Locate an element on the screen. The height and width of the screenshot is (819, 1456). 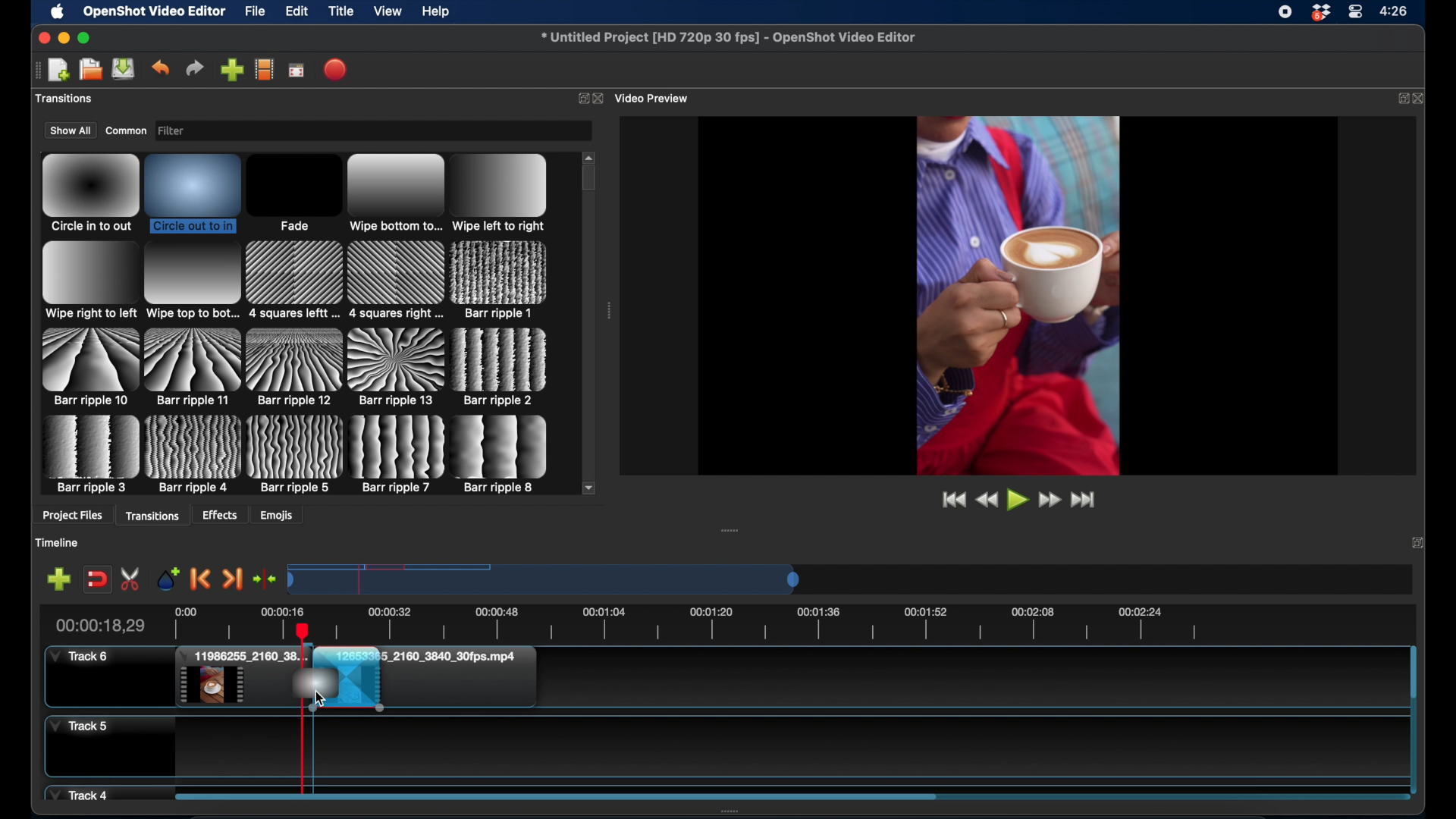
minimize is located at coordinates (63, 38).